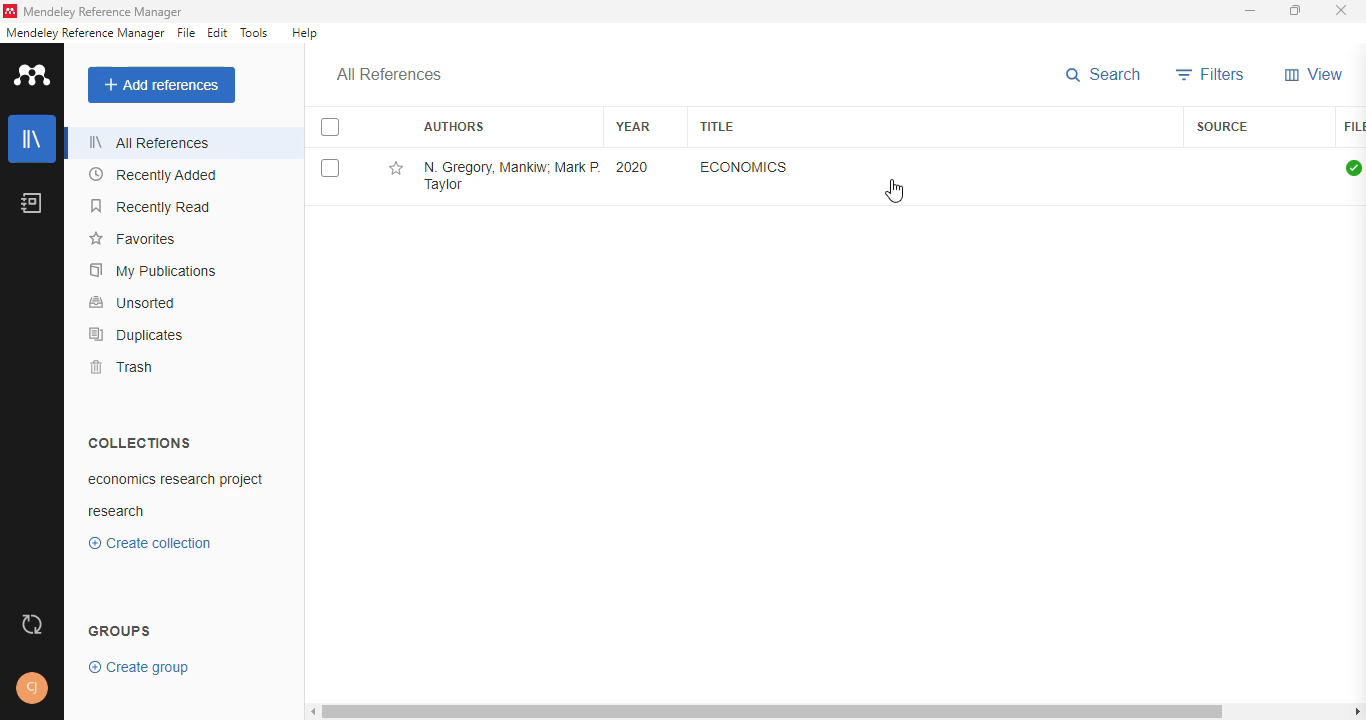 The width and height of the screenshot is (1366, 720). What do you see at coordinates (32, 74) in the screenshot?
I see `logo` at bounding box center [32, 74].